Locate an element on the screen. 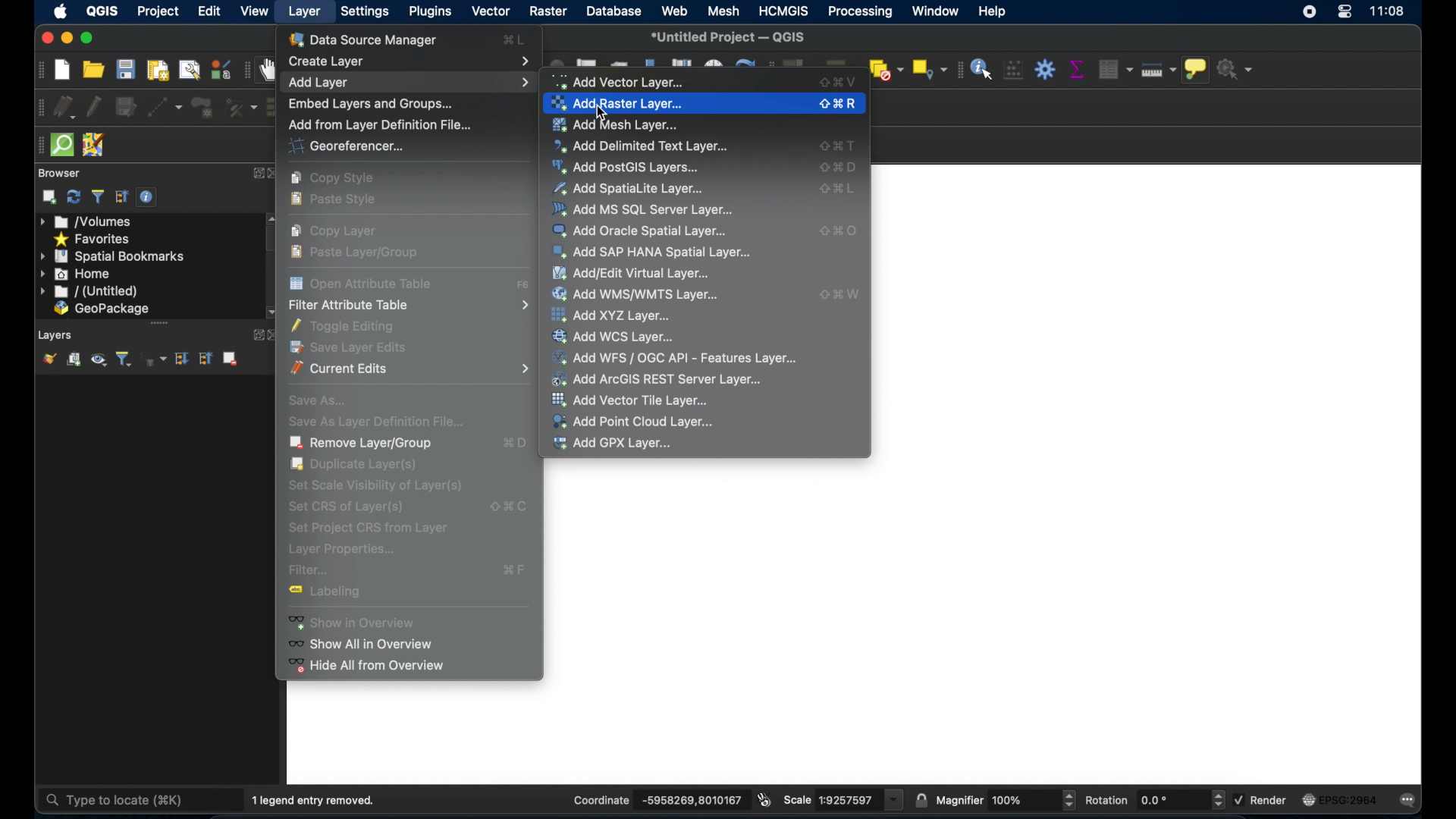 This screenshot has width=1456, height=819. open project is located at coordinates (95, 69).